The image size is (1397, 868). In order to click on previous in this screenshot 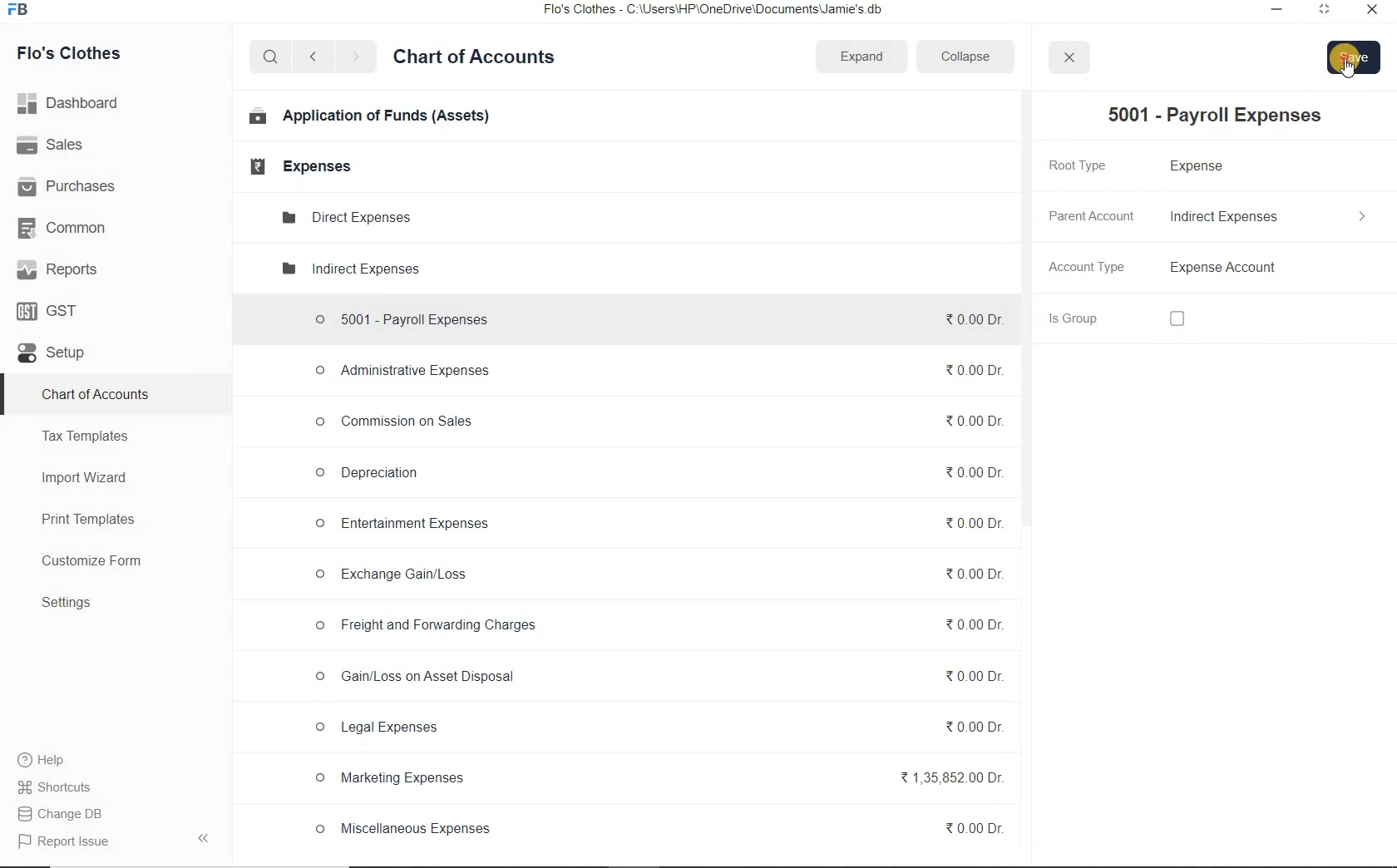, I will do `click(312, 57)`.